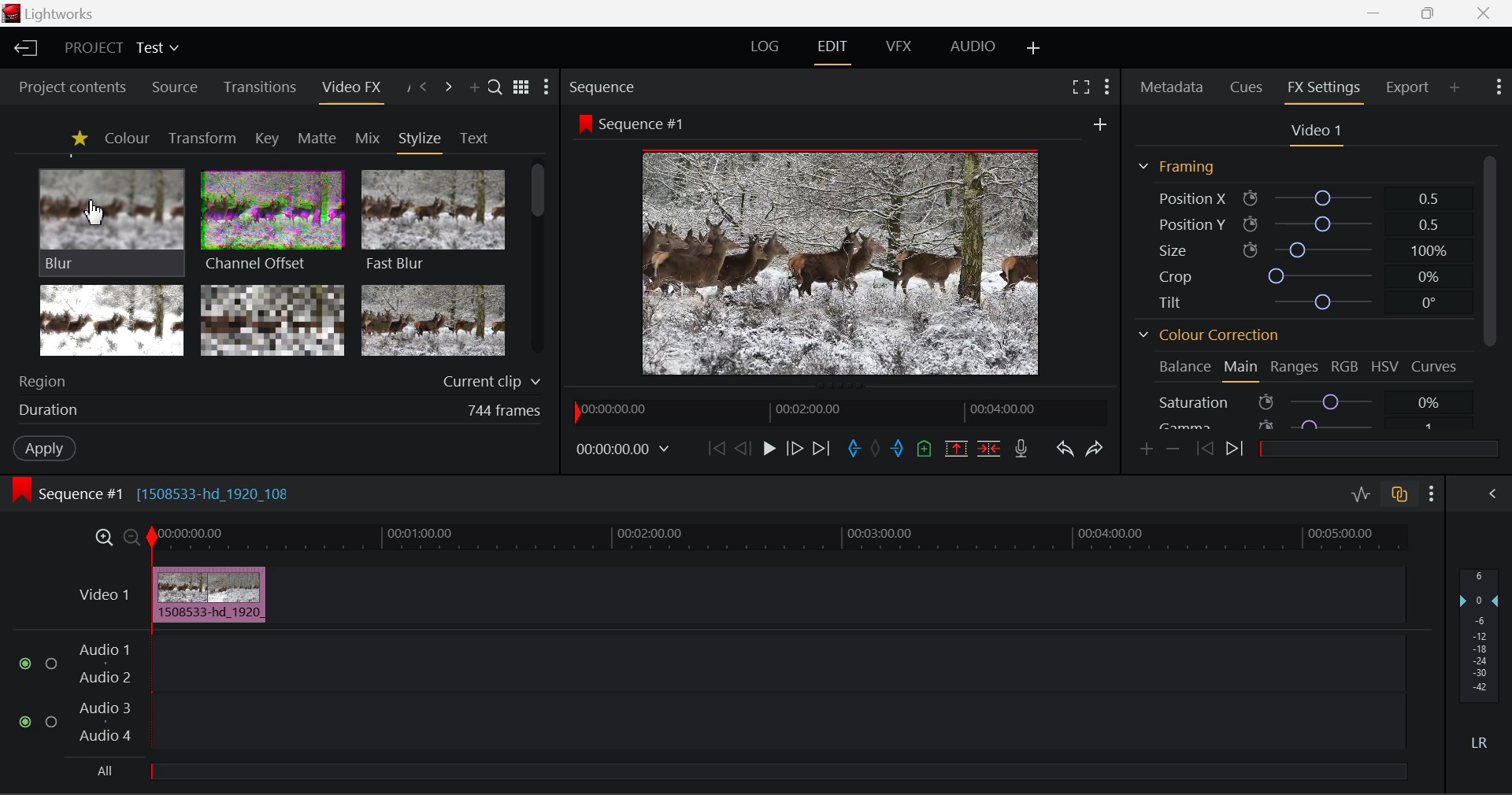  I want to click on Full Screen, so click(1080, 87).